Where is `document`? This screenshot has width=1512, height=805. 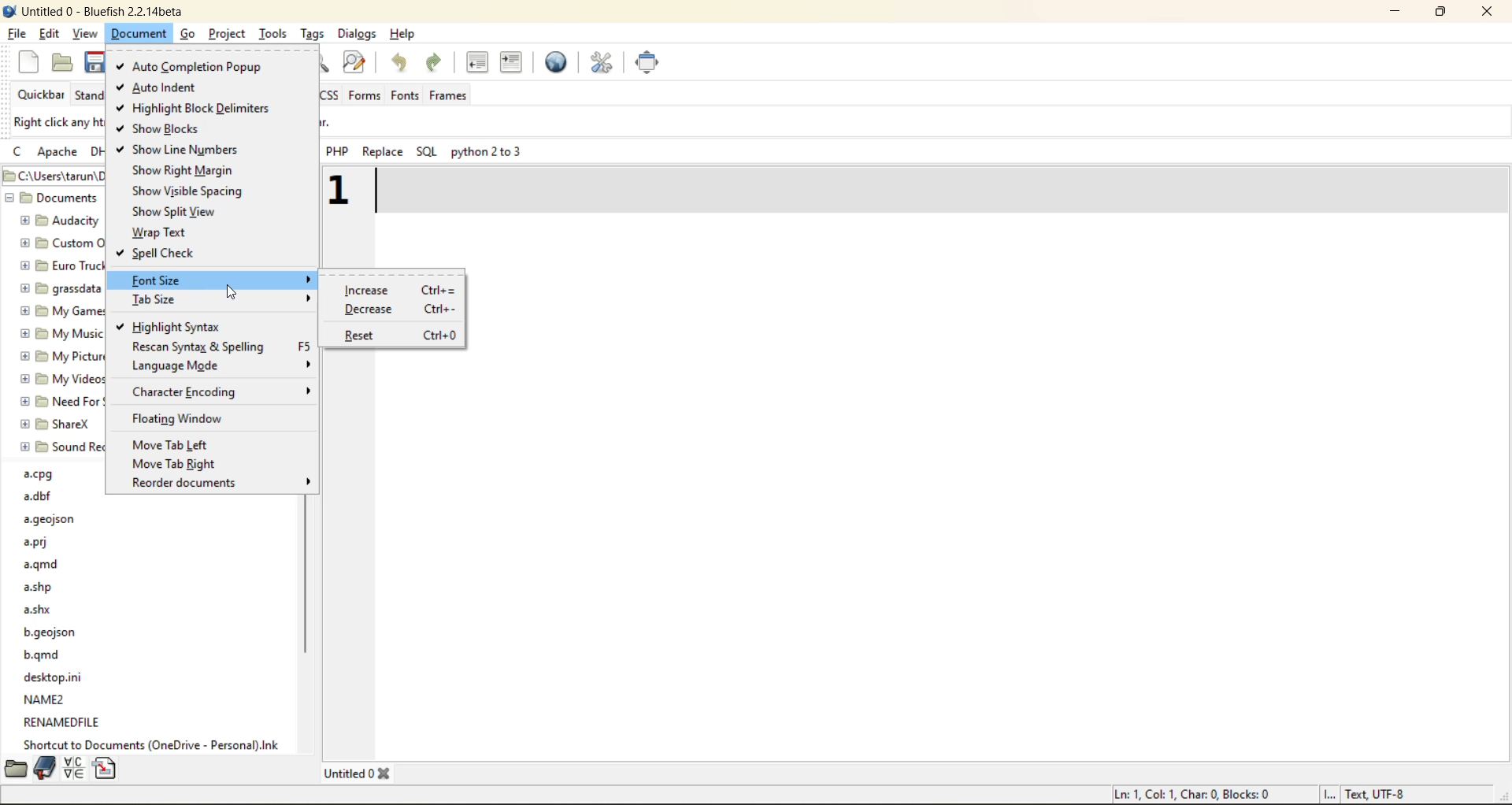 document is located at coordinates (139, 35).